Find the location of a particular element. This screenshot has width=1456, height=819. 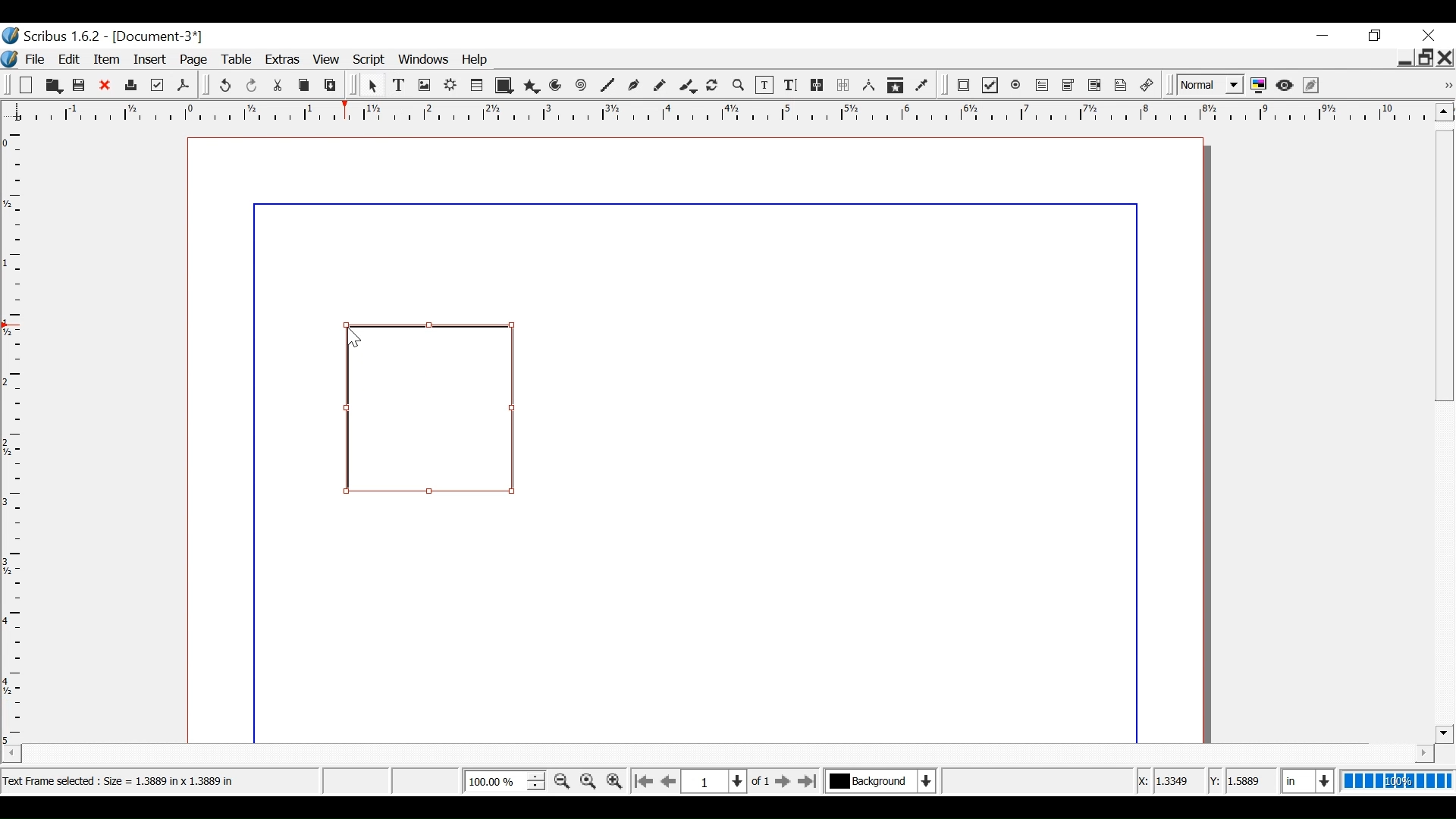

Script is located at coordinates (371, 60).